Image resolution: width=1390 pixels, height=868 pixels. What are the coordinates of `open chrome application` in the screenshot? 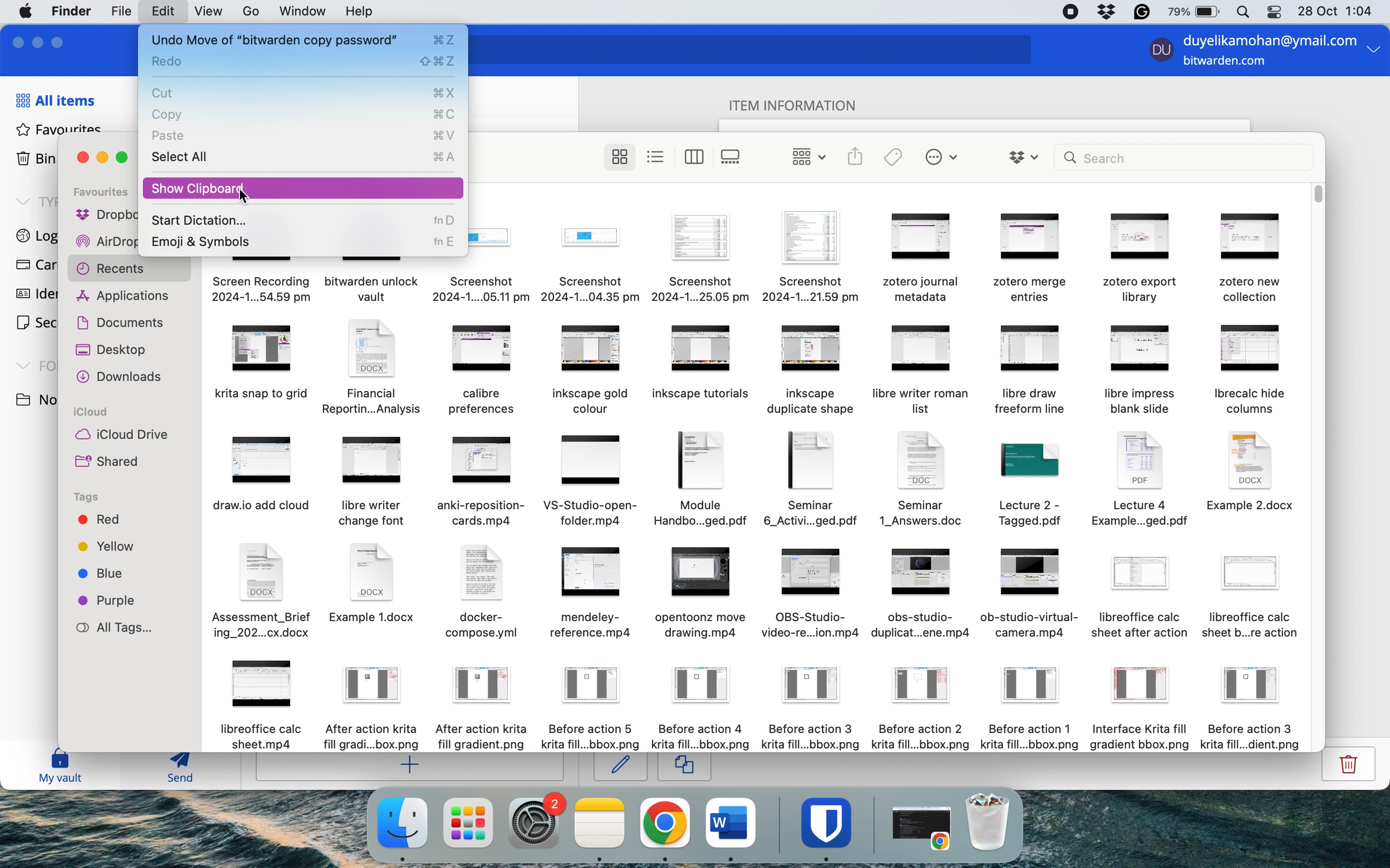 It's located at (925, 828).